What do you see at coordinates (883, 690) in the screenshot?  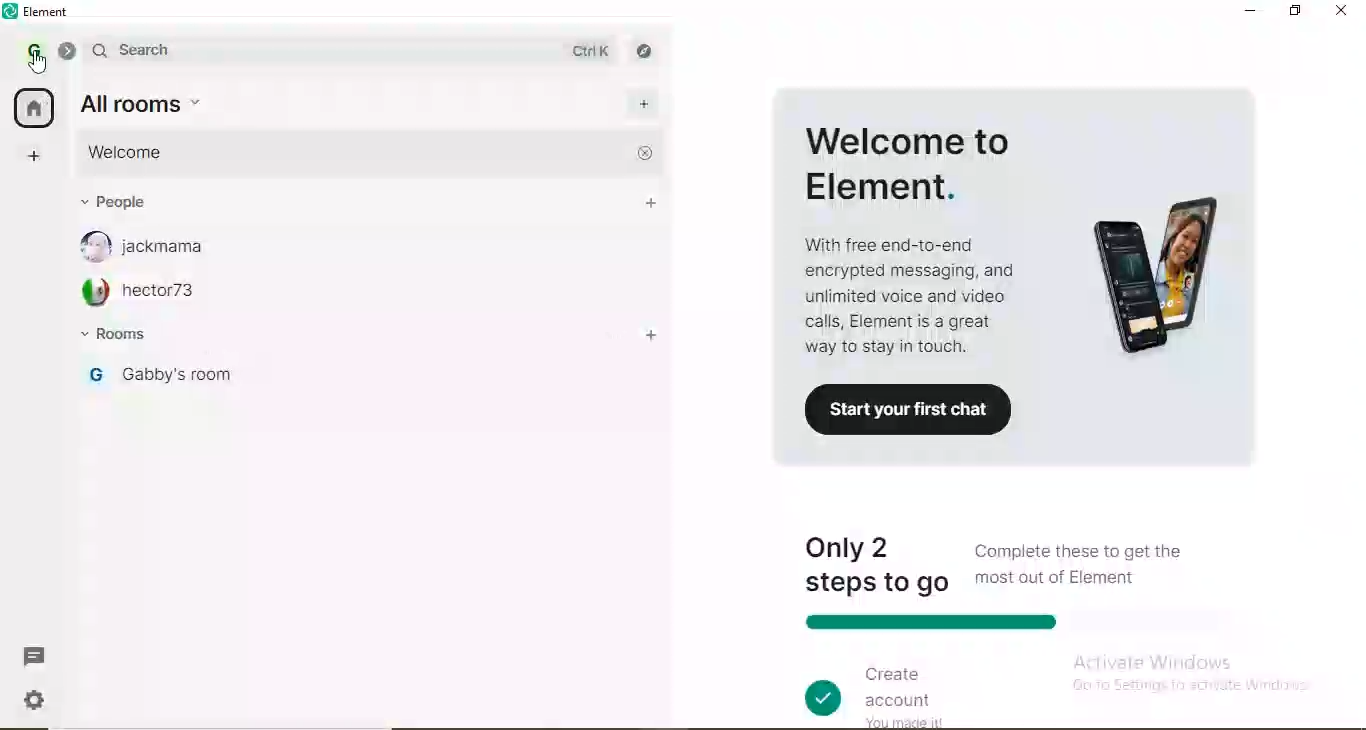 I see `create account` at bounding box center [883, 690].